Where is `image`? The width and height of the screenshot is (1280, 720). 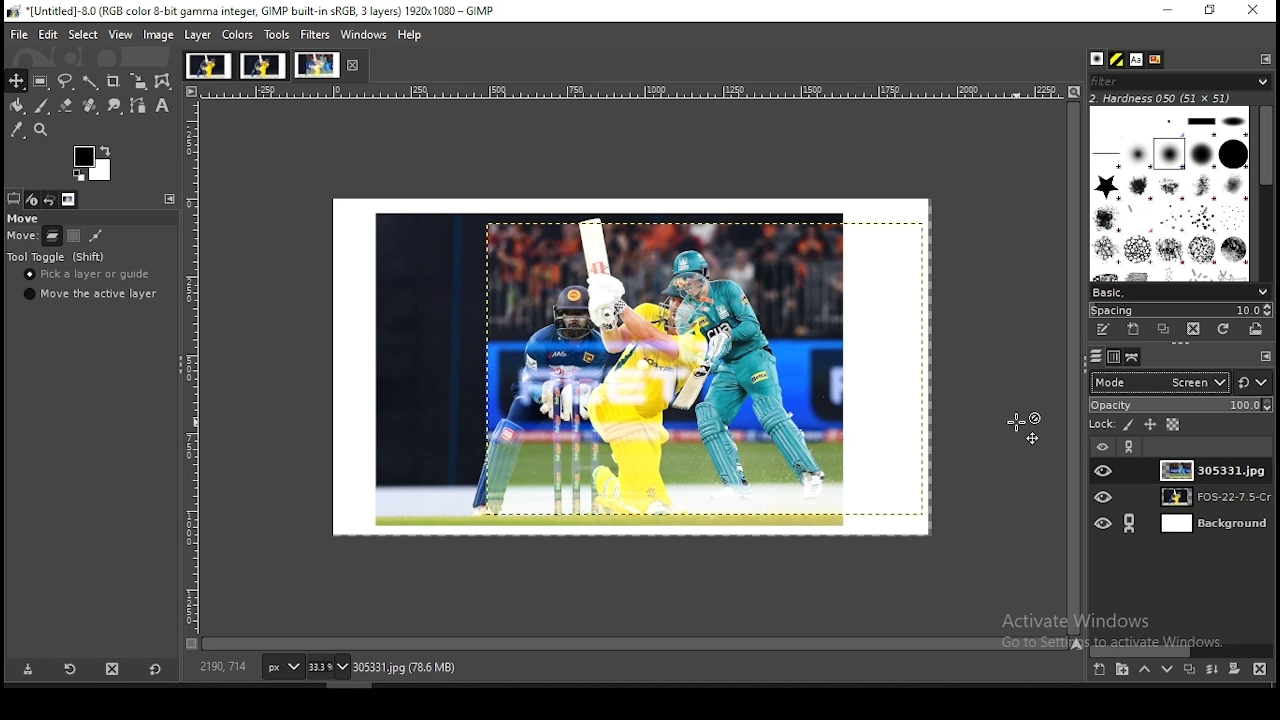
image is located at coordinates (208, 66).